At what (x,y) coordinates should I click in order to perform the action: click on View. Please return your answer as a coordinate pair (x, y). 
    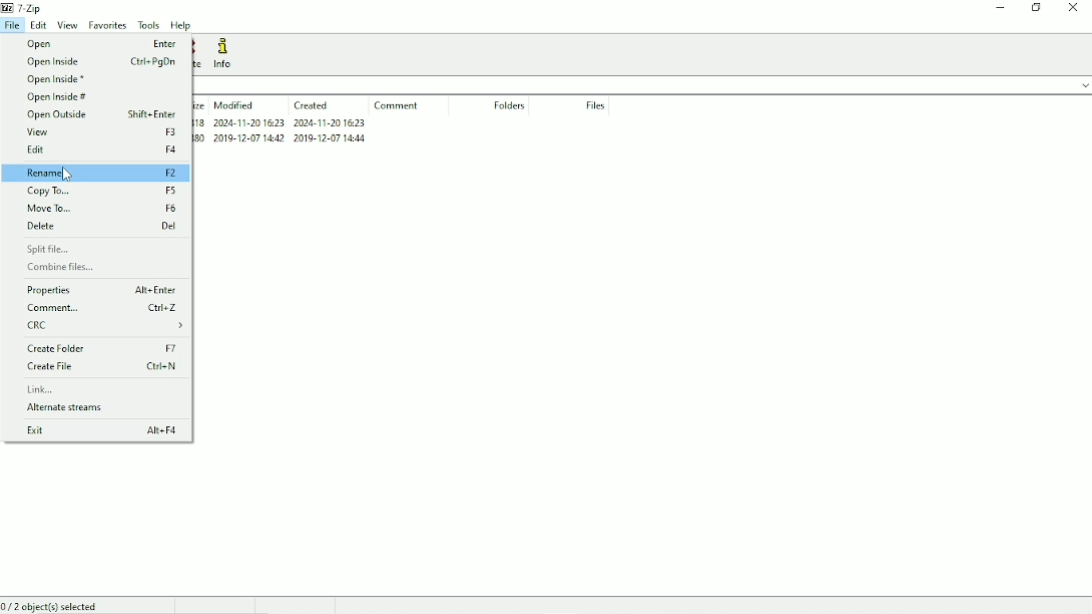
    Looking at the image, I should click on (101, 133).